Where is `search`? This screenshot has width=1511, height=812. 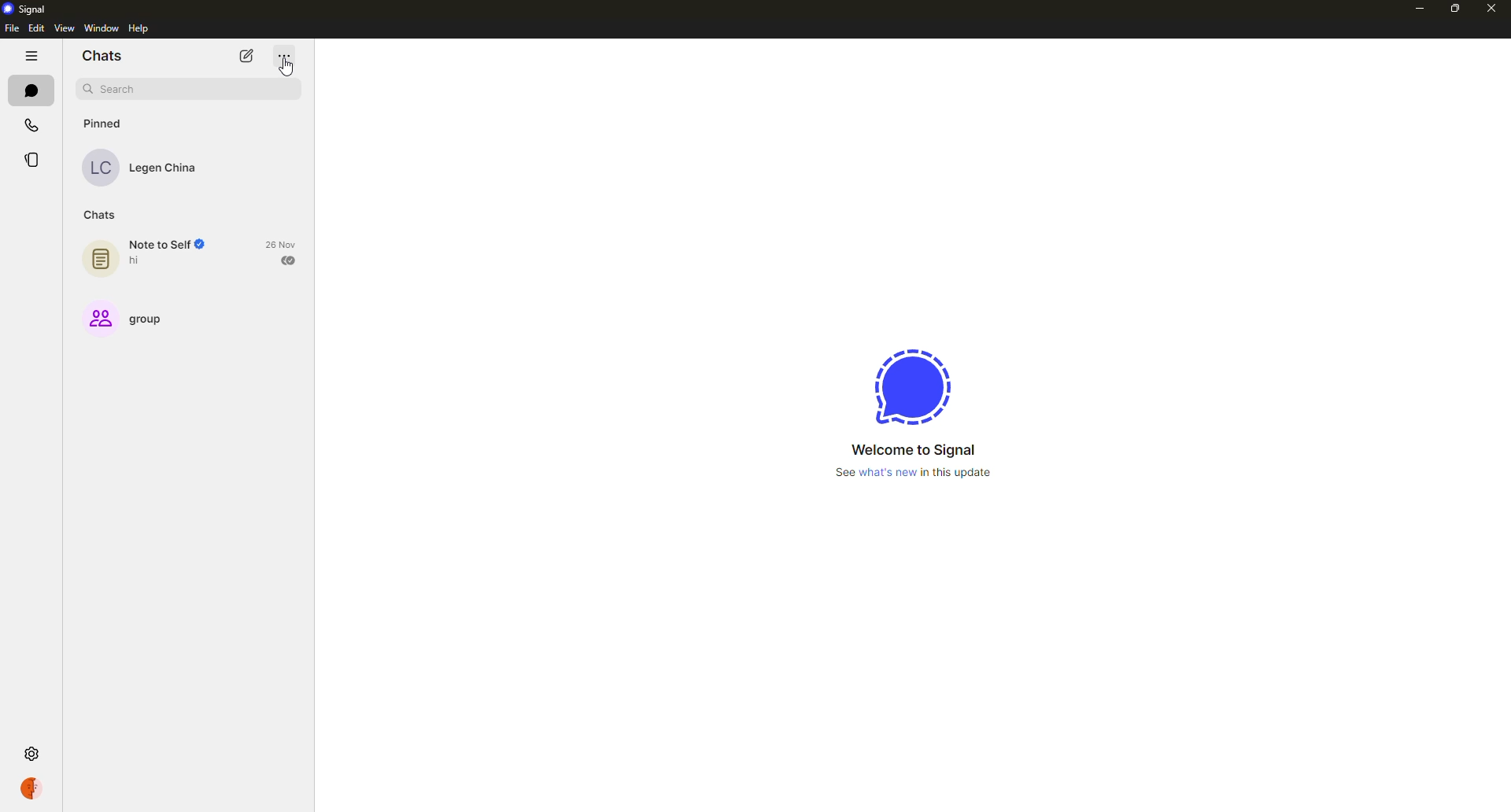 search is located at coordinates (113, 90).